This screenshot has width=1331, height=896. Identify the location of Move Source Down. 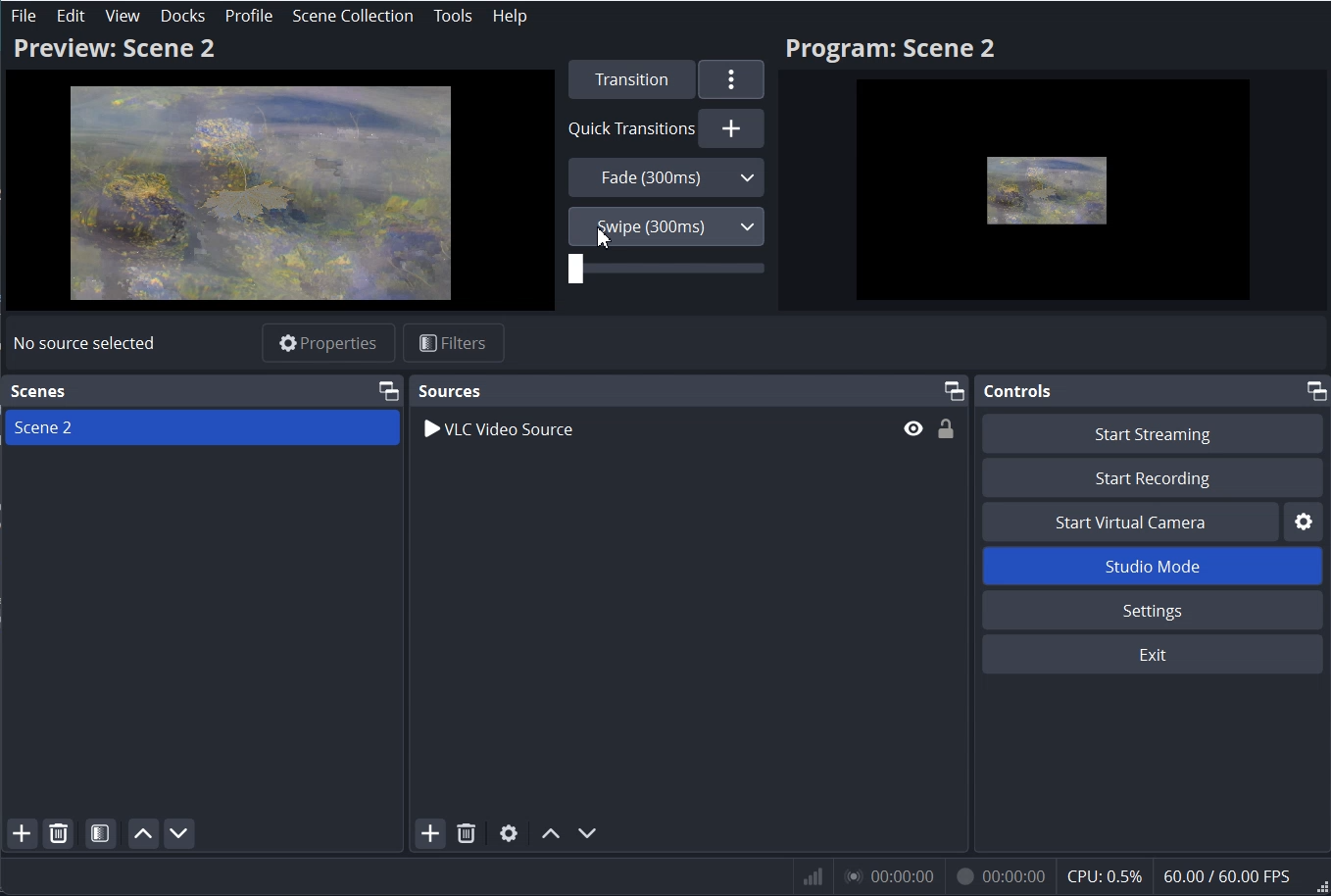
(587, 831).